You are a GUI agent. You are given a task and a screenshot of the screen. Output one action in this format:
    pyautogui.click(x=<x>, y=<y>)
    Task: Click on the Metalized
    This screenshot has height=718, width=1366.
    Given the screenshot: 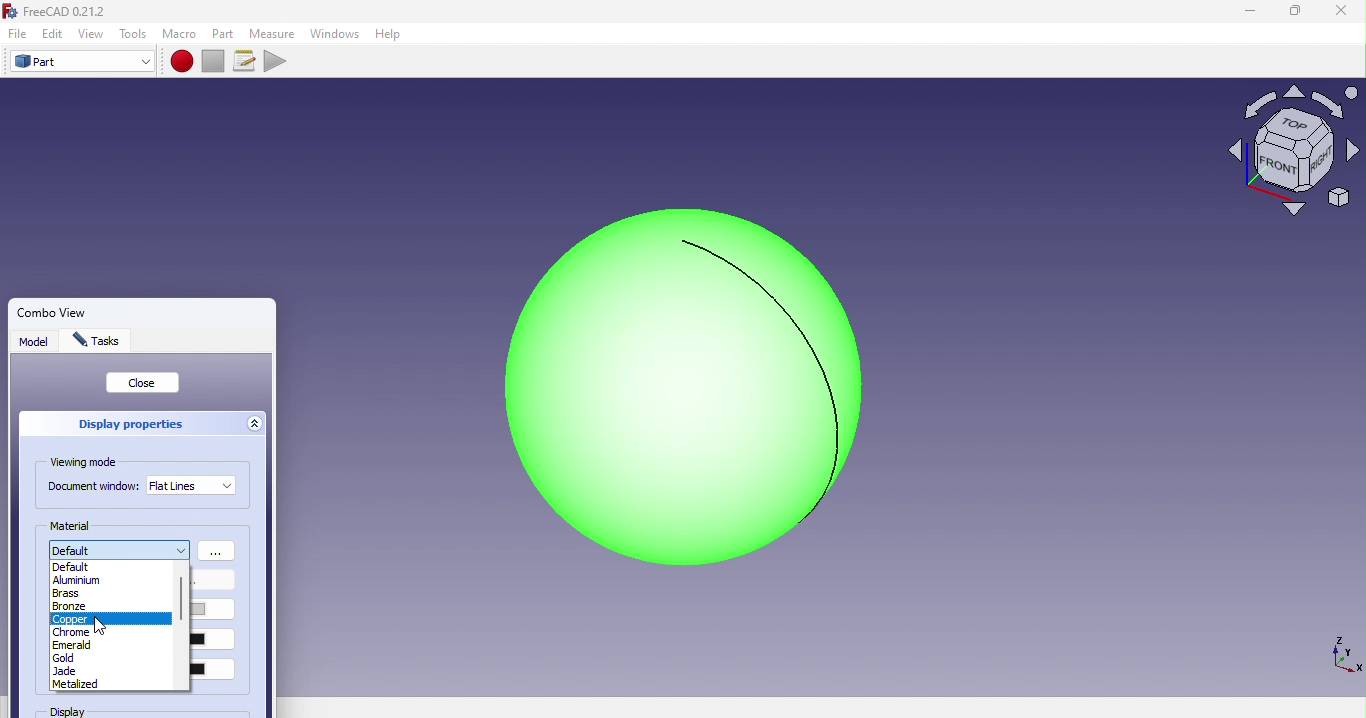 What is the action you would take?
    pyautogui.click(x=74, y=684)
    